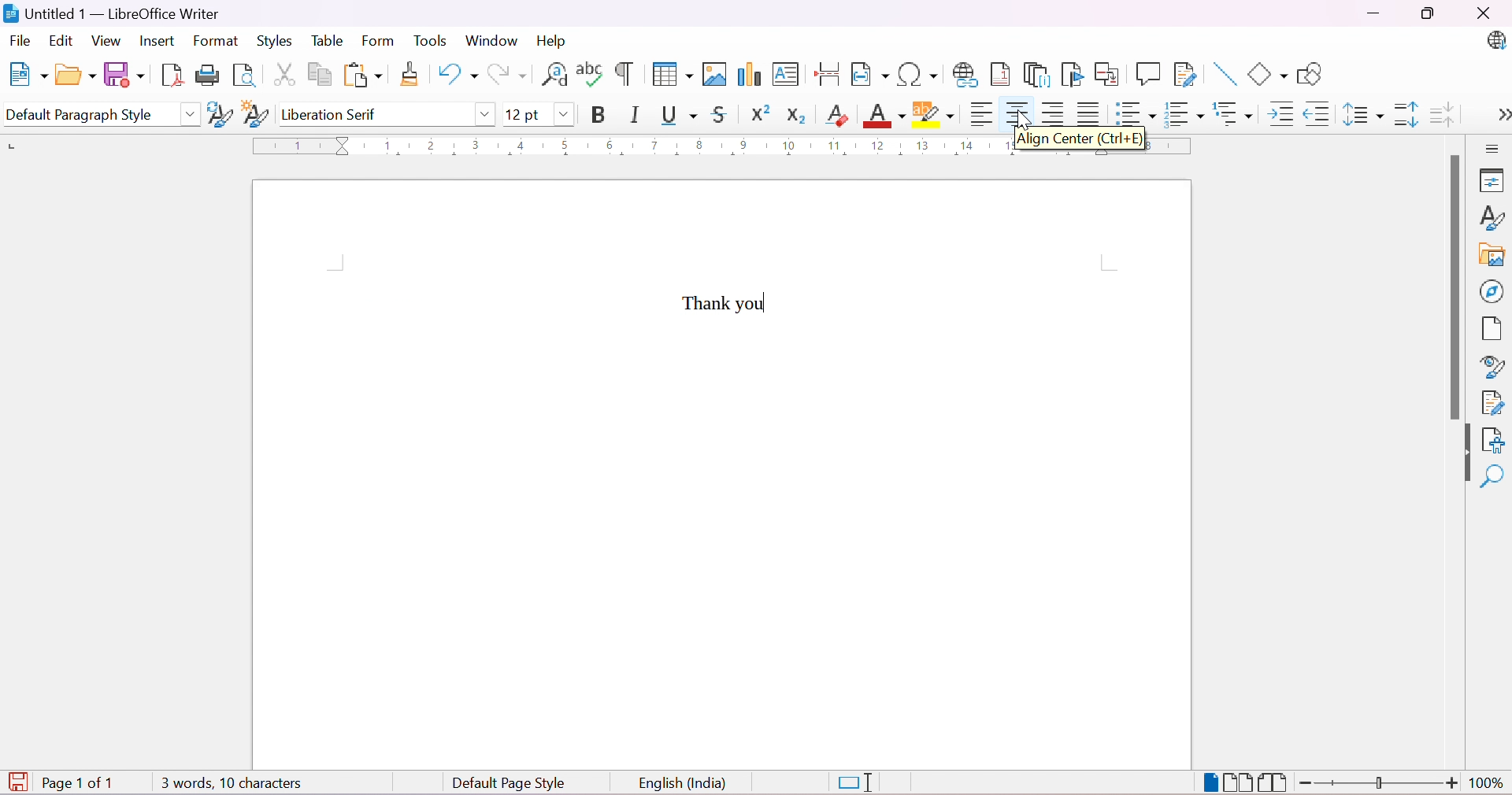  What do you see at coordinates (217, 116) in the screenshot?
I see `Update Selected Style` at bounding box center [217, 116].